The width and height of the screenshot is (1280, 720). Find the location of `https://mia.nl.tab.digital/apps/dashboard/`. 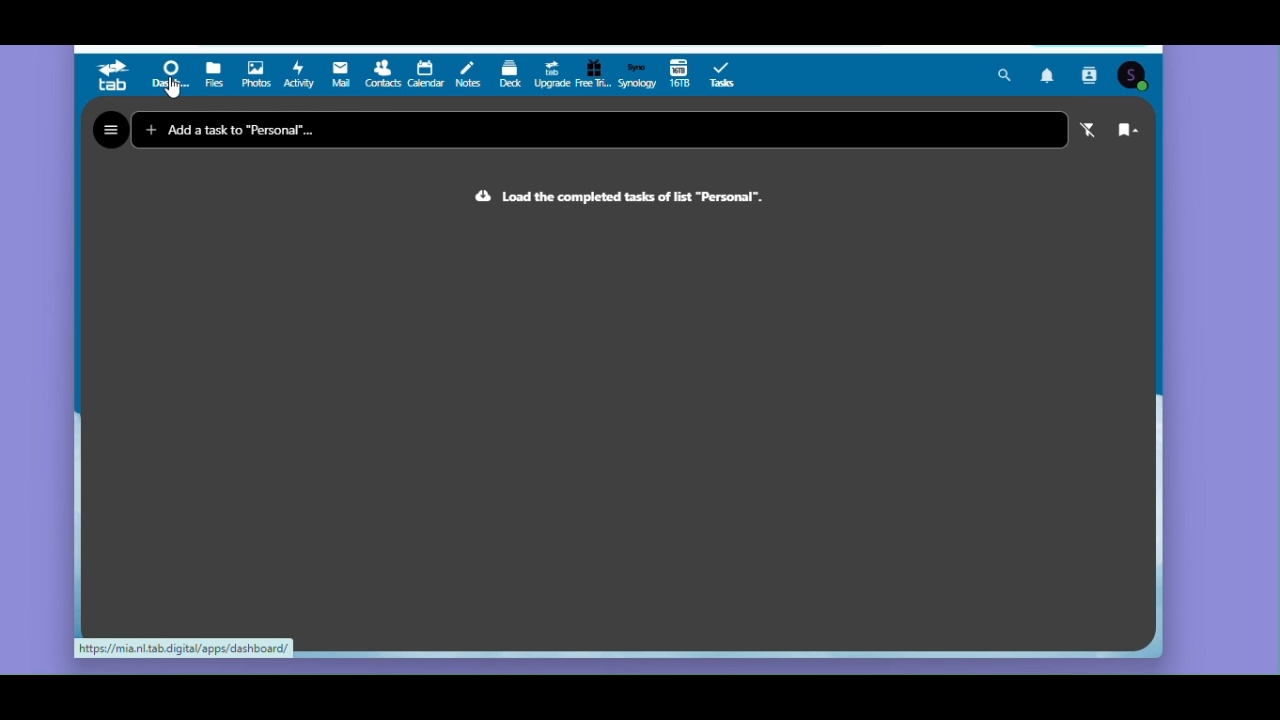

https://mia.nl.tab.digital/apps/dashboard/ is located at coordinates (184, 649).